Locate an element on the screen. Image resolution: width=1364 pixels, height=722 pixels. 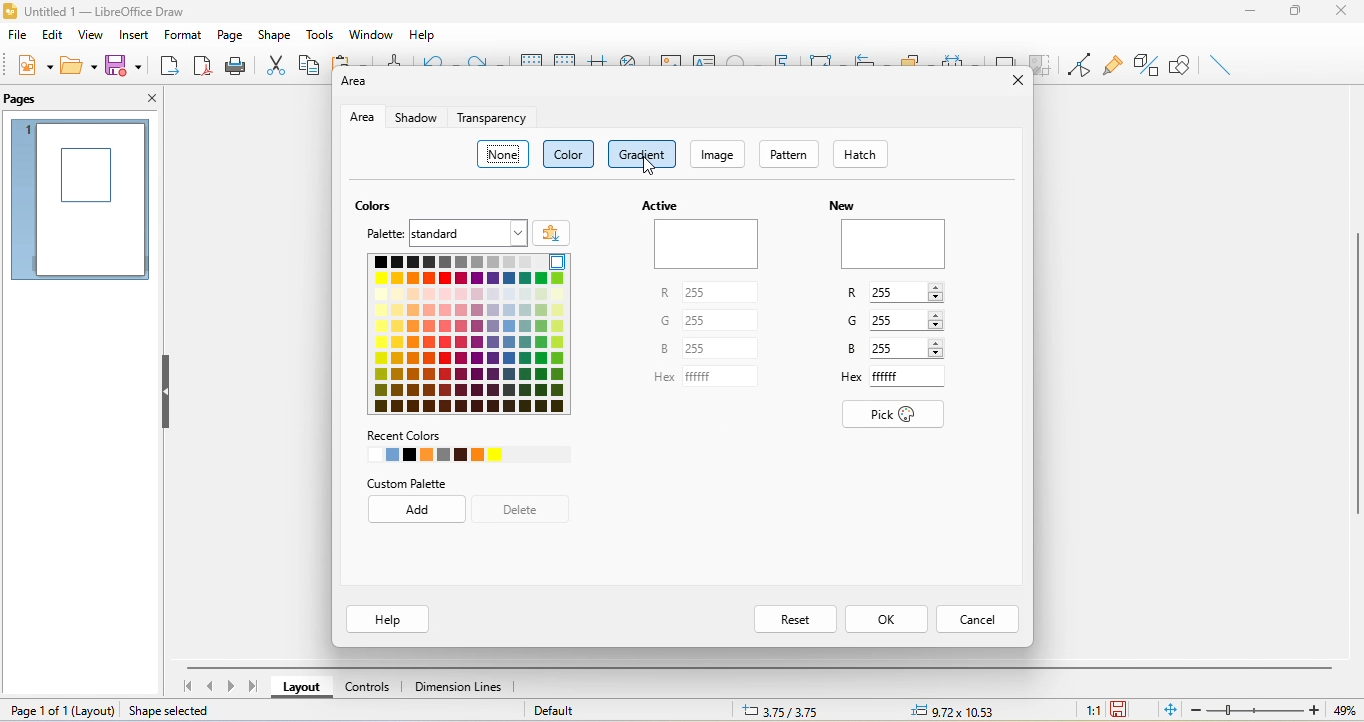
palette is located at coordinates (378, 234).